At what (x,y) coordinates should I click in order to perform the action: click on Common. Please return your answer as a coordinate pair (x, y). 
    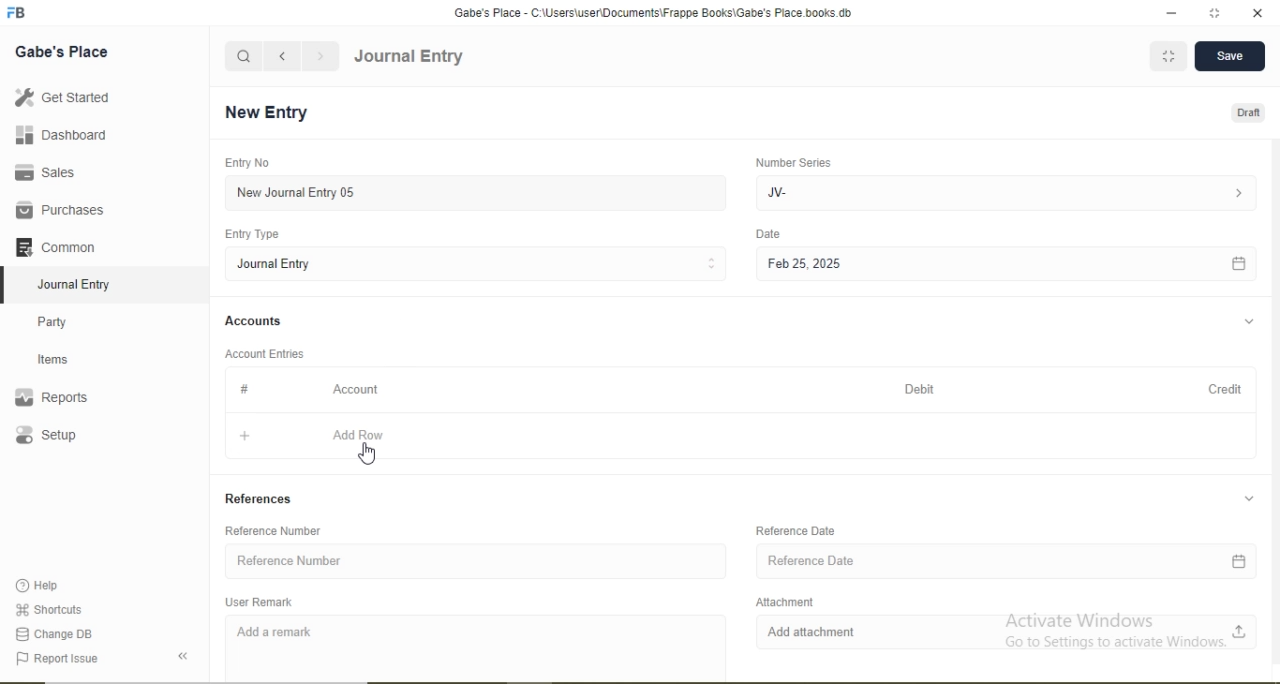
    Looking at the image, I should click on (60, 245).